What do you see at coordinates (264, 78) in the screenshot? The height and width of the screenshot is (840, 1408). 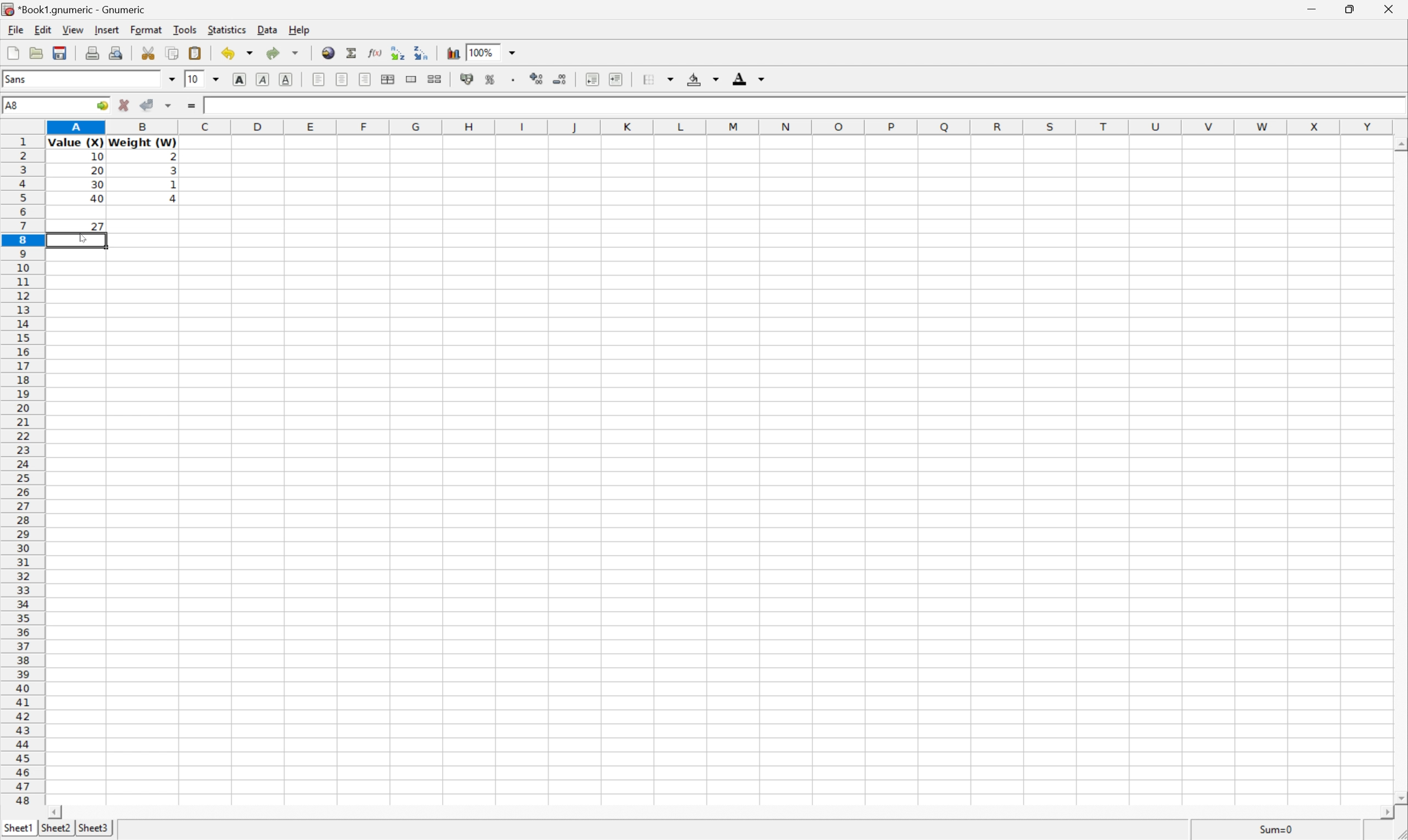 I see `Italic` at bounding box center [264, 78].